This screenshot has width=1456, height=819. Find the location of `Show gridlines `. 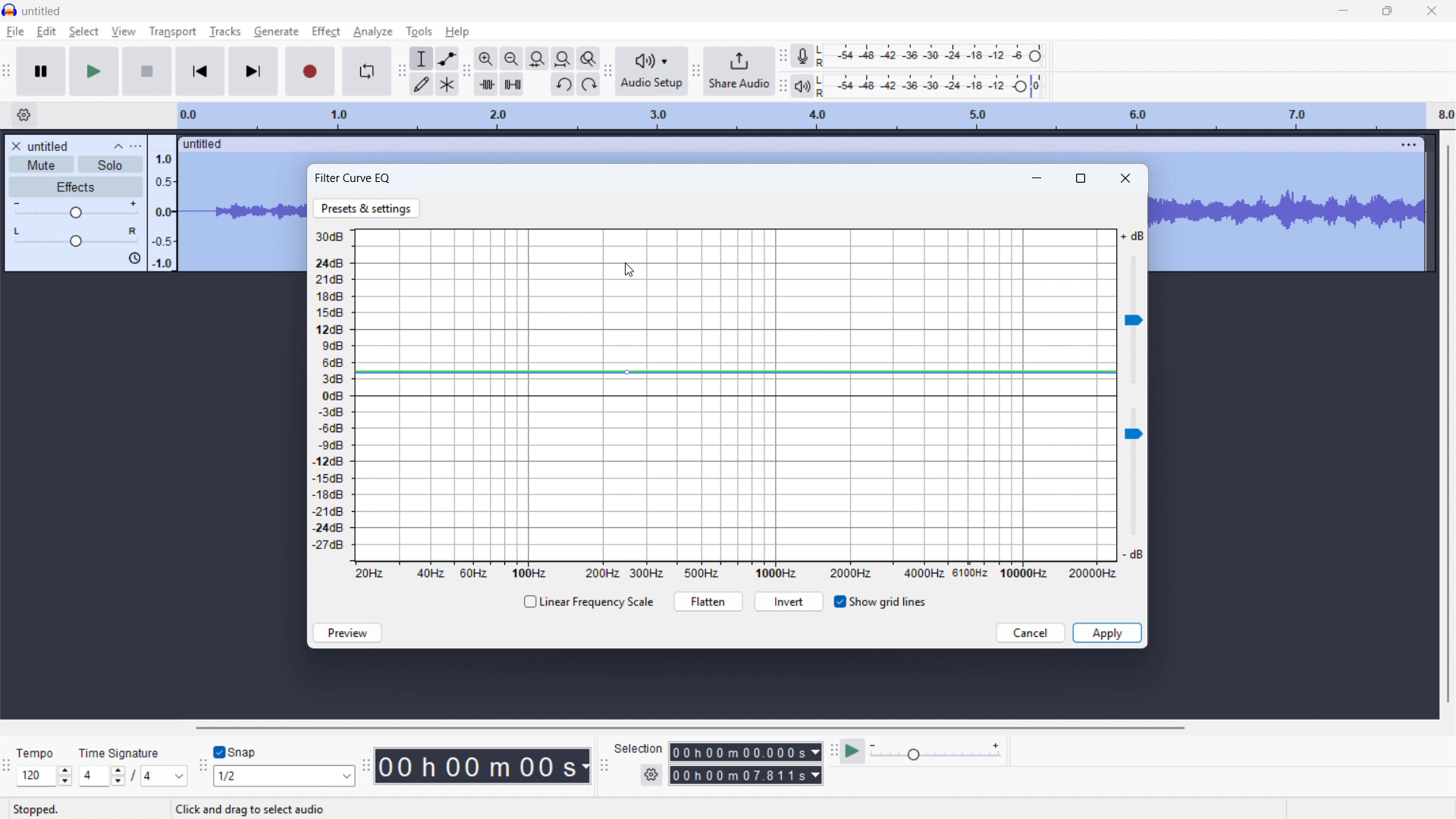

Show gridlines  is located at coordinates (881, 602).